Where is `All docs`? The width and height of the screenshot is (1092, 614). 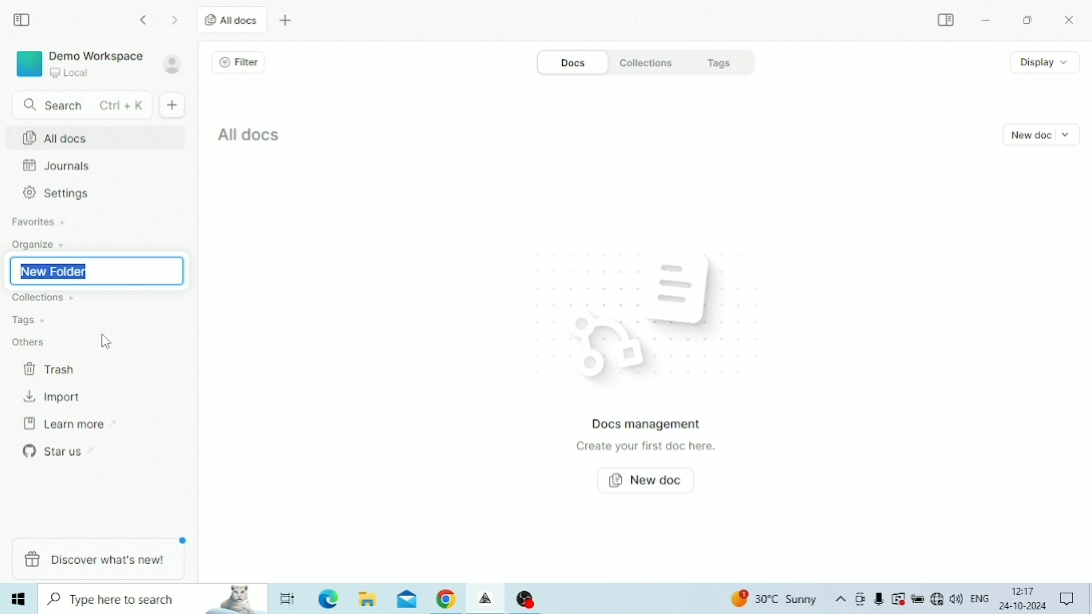 All docs is located at coordinates (233, 20).